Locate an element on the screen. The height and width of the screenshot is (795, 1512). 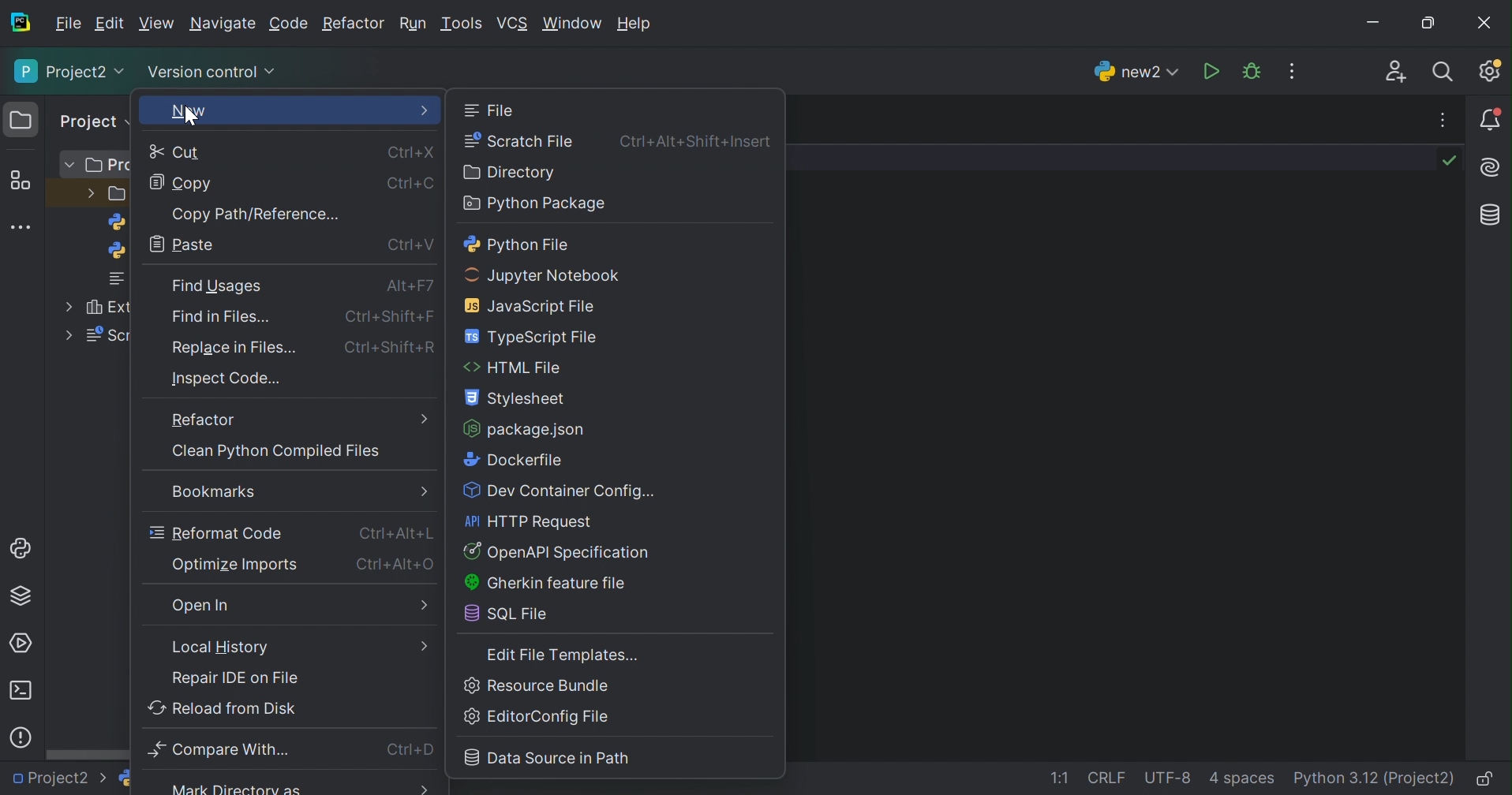
Jupyter notebook is located at coordinates (544, 278).